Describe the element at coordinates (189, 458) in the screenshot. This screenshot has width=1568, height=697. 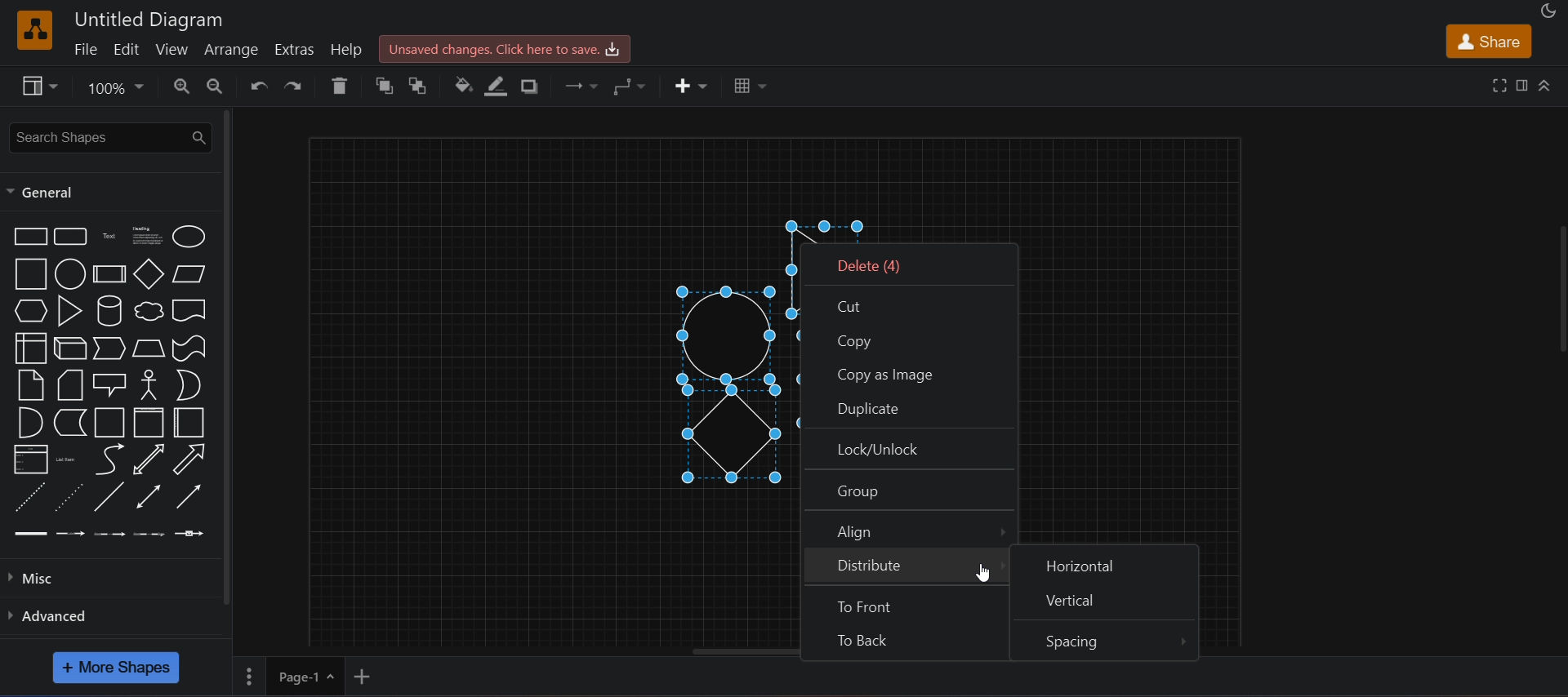
I see `arrow` at that location.